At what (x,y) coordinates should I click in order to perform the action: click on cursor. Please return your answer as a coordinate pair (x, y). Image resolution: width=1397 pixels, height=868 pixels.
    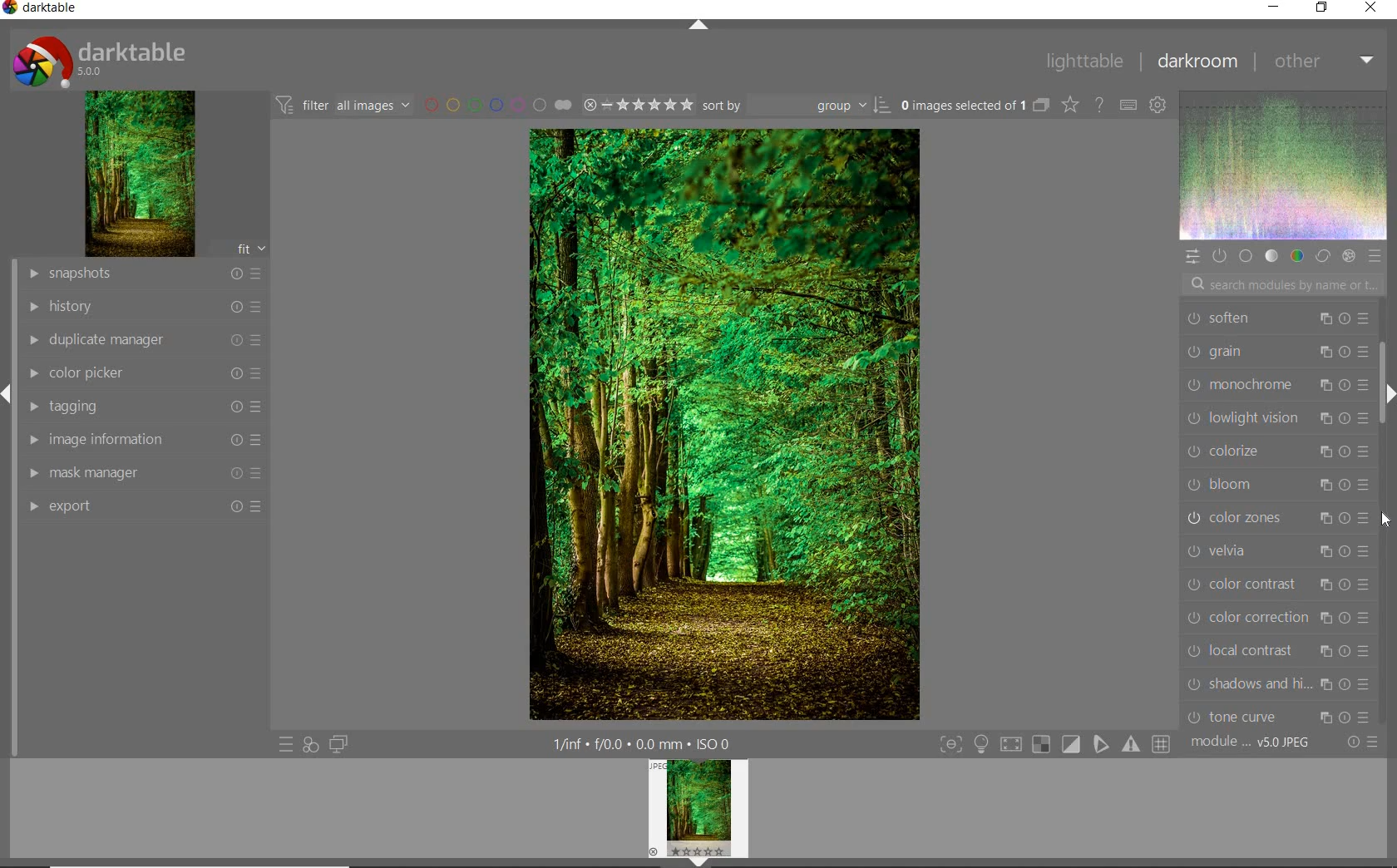
    Looking at the image, I should click on (1387, 520).